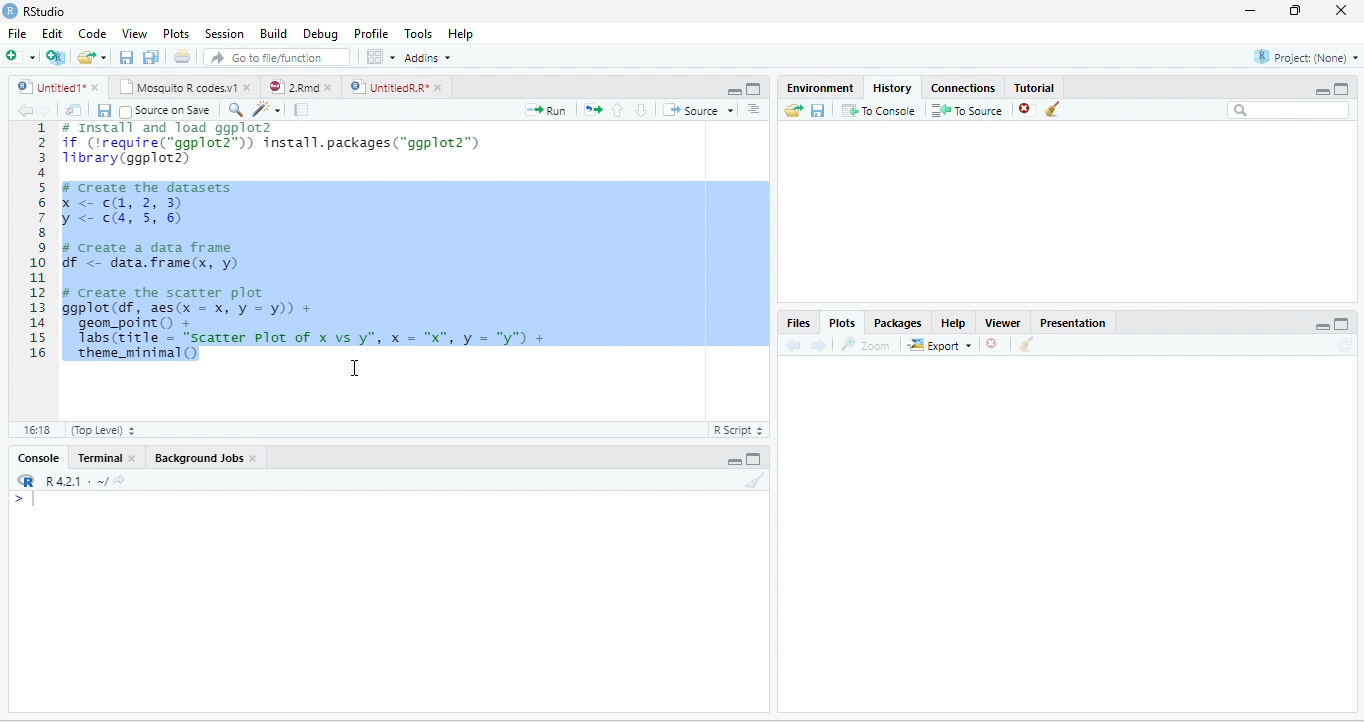 Image resolution: width=1364 pixels, height=722 pixels. What do you see at coordinates (254, 459) in the screenshot?
I see `close` at bounding box center [254, 459].